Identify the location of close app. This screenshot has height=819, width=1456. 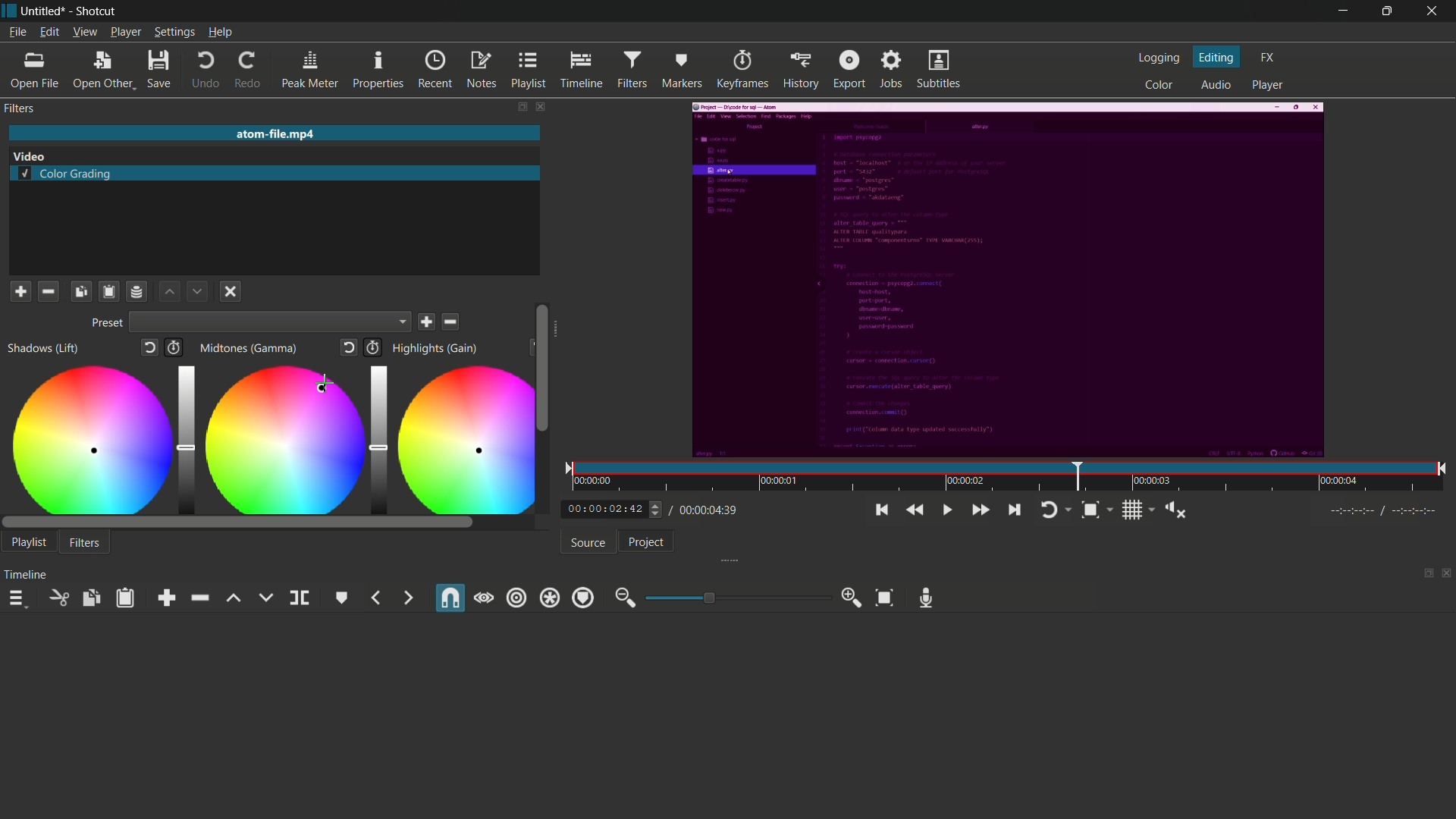
(1433, 11).